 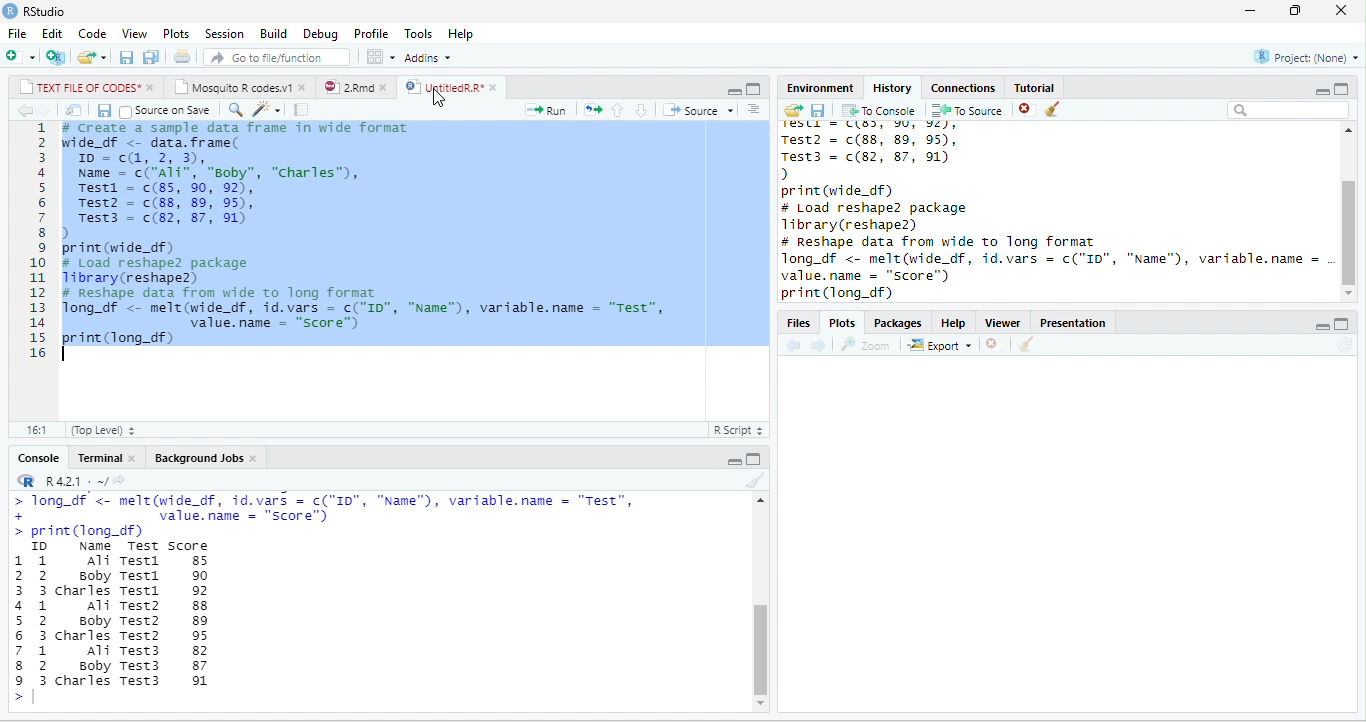 I want to click on Tools, so click(x=419, y=35).